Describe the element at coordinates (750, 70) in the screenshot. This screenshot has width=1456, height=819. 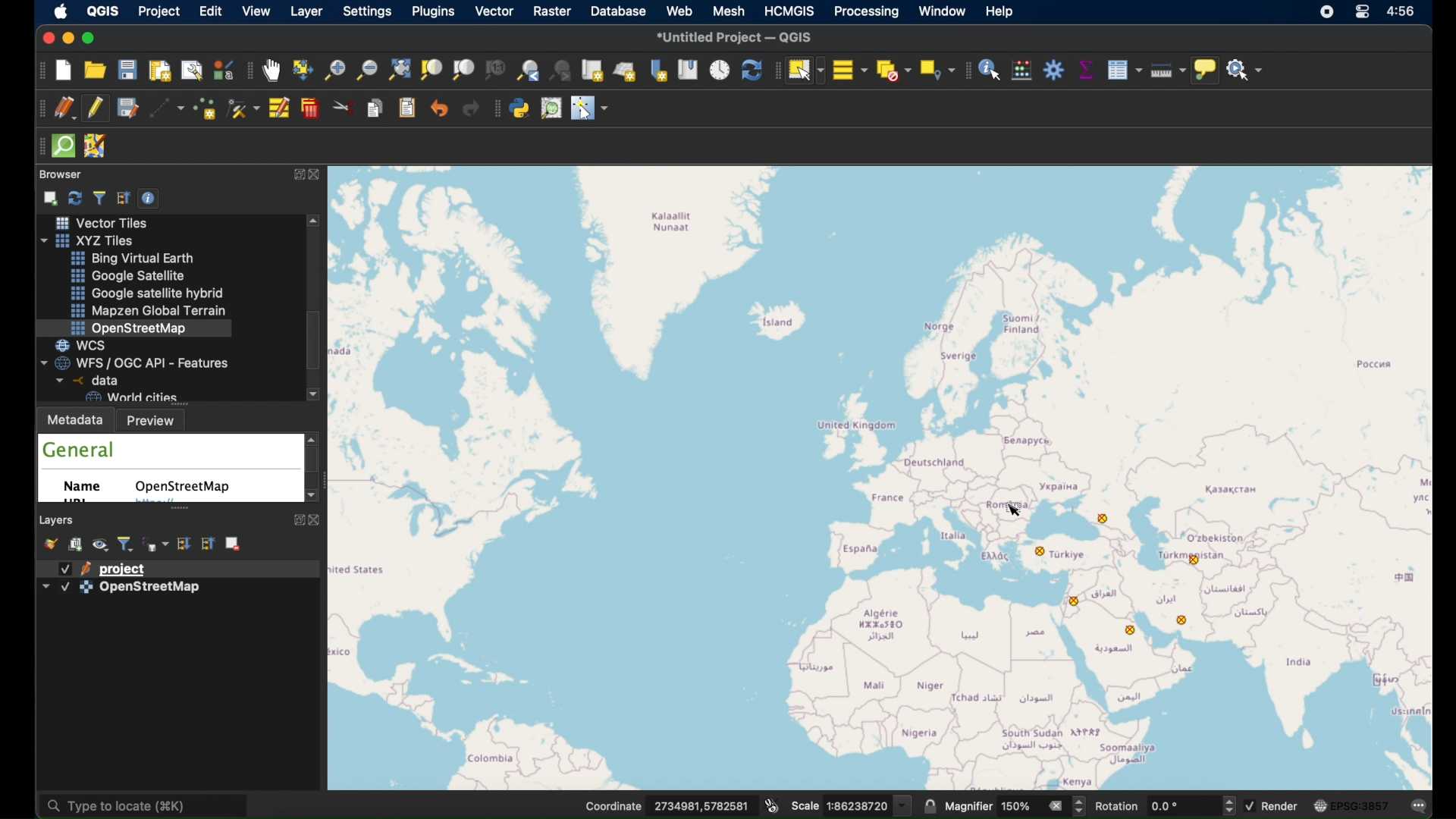
I see `refresh` at that location.